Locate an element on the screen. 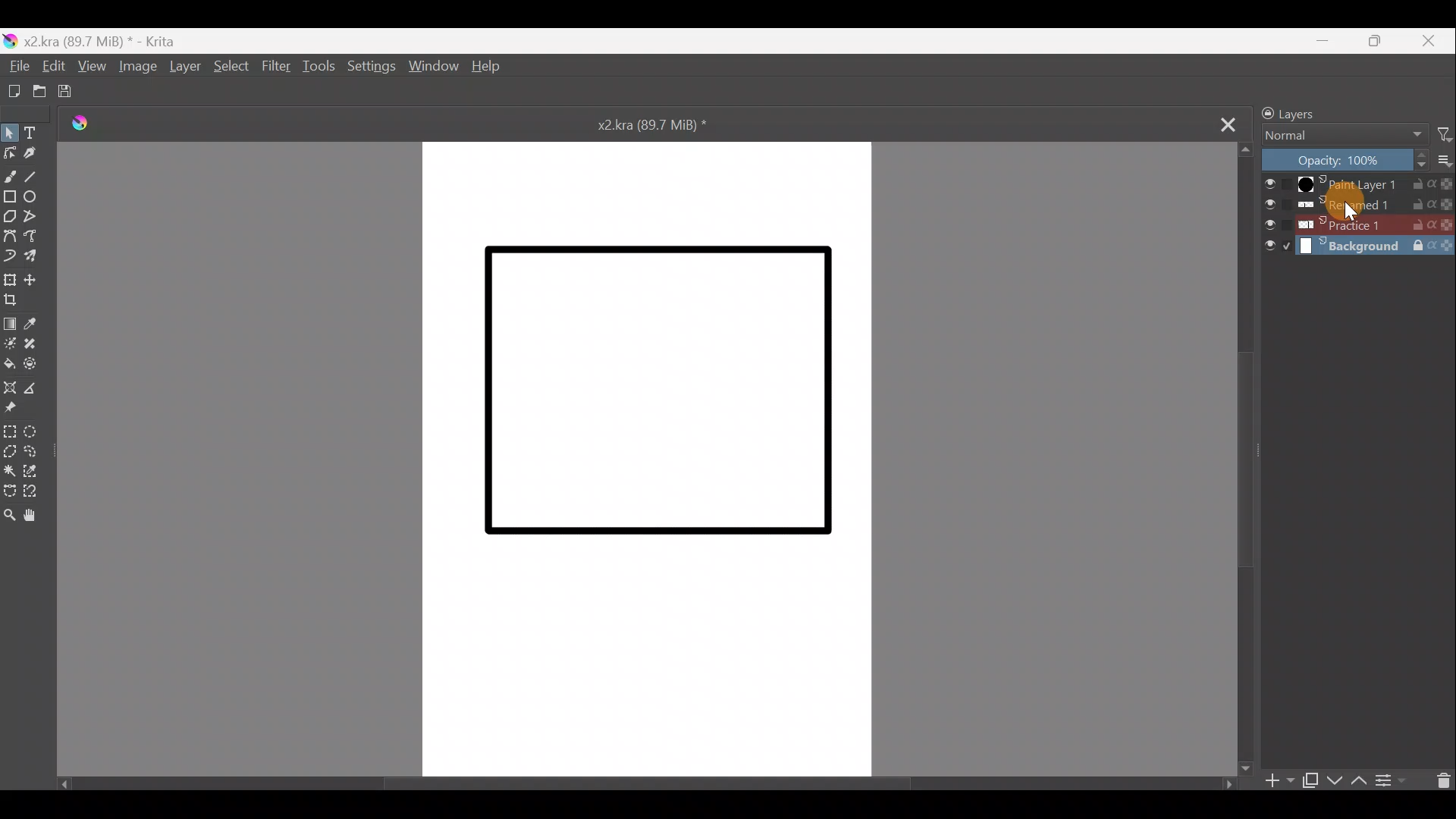 This screenshot has height=819, width=1456. Measure distance between two points is located at coordinates (42, 388).